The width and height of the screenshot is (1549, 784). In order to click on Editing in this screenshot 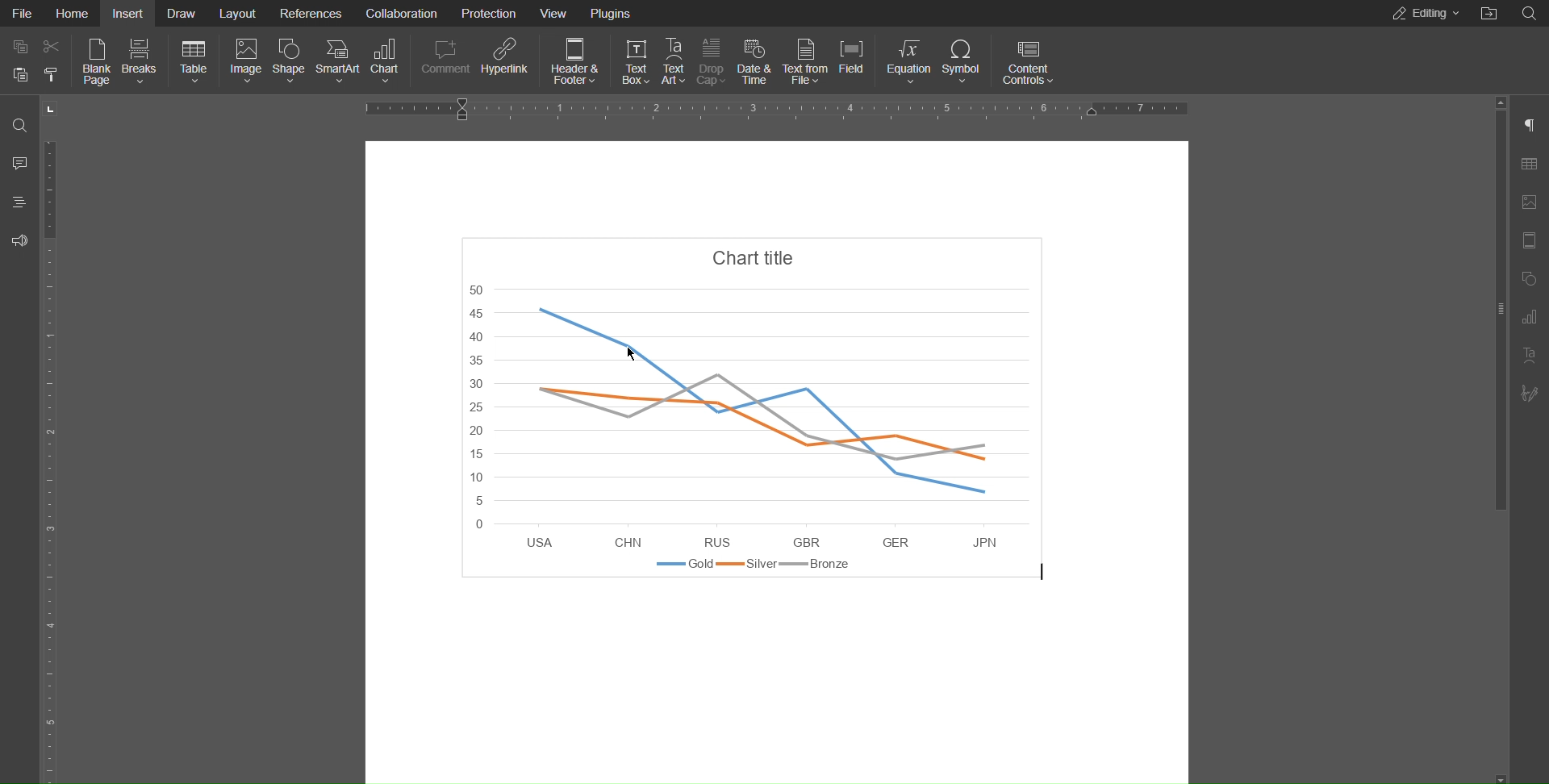, I will do `click(1426, 13)`.